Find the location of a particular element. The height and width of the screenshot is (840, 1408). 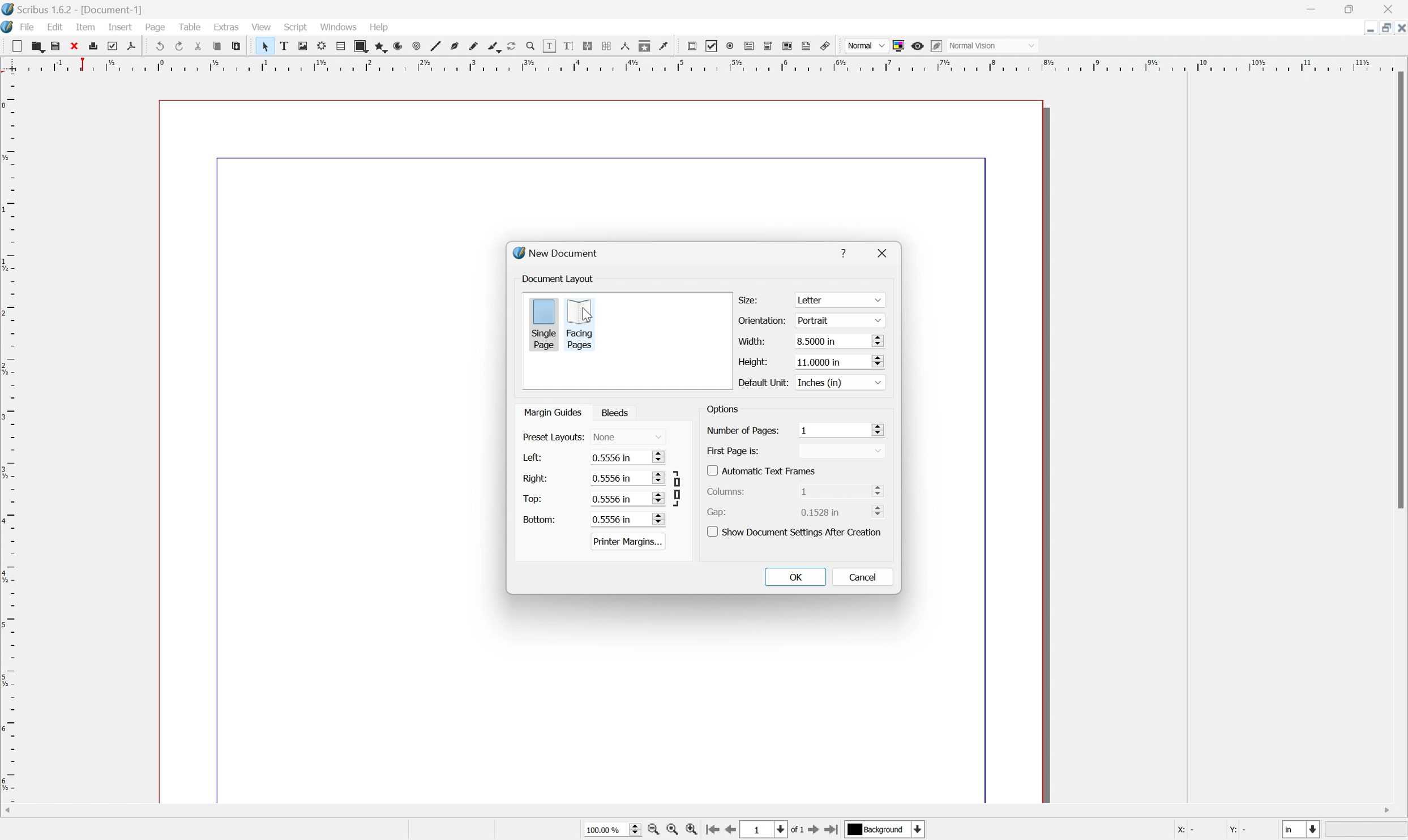

Preview mode is located at coordinates (919, 44).